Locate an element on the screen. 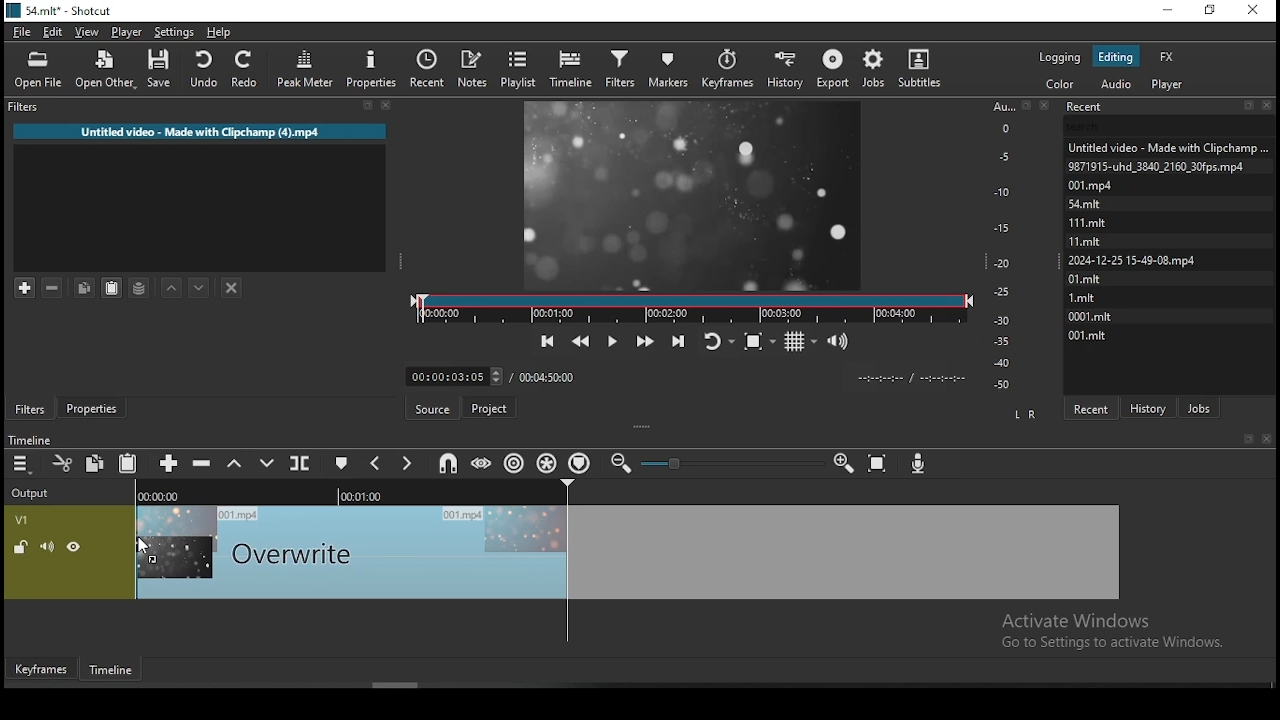 The width and height of the screenshot is (1280, 720). (un)lock is located at coordinates (21, 548).